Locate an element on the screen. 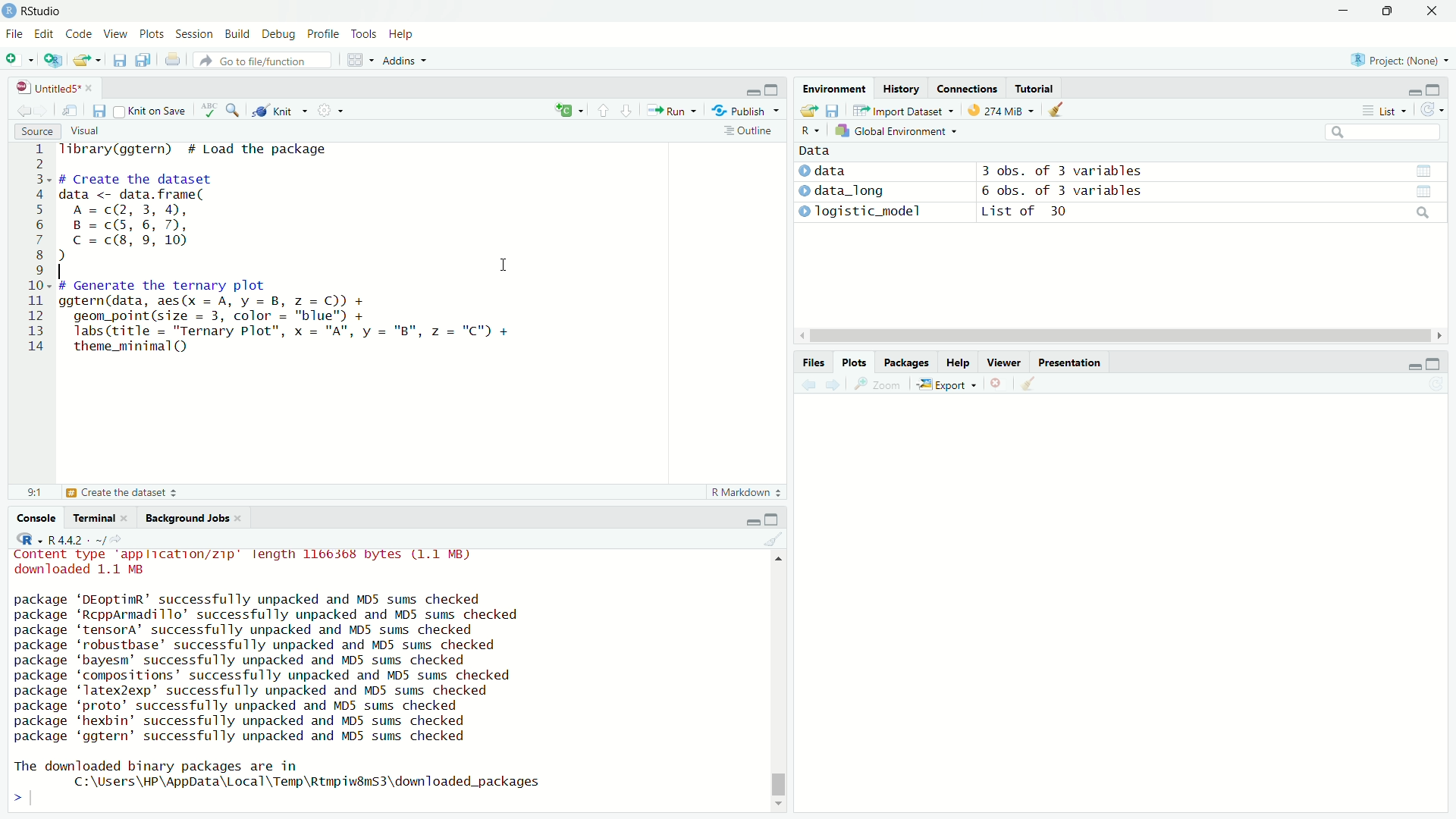 This screenshot has height=819, width=1456. Help is located at coordinates (955, 363).